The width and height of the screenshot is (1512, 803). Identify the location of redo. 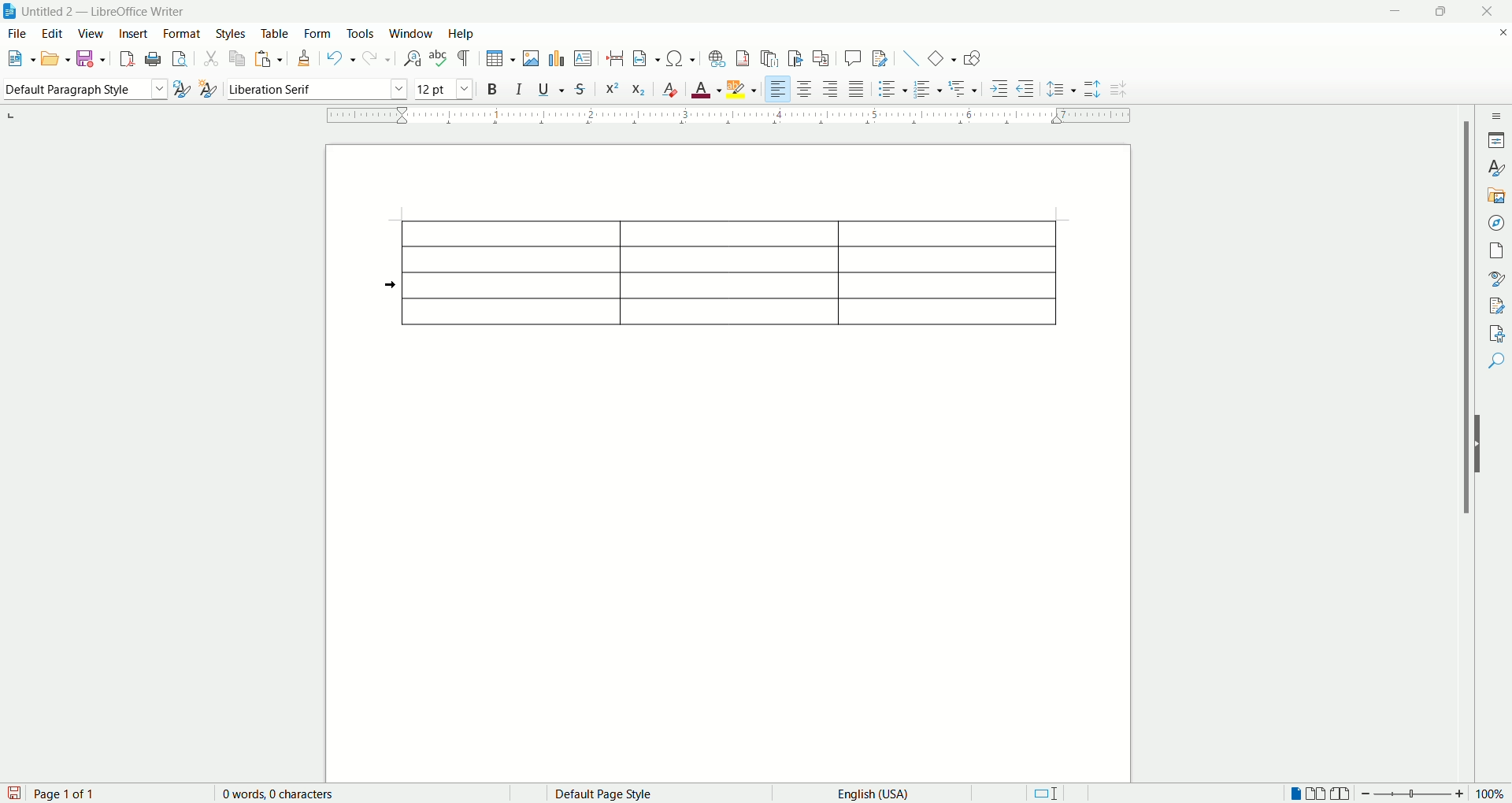
(376, 59).